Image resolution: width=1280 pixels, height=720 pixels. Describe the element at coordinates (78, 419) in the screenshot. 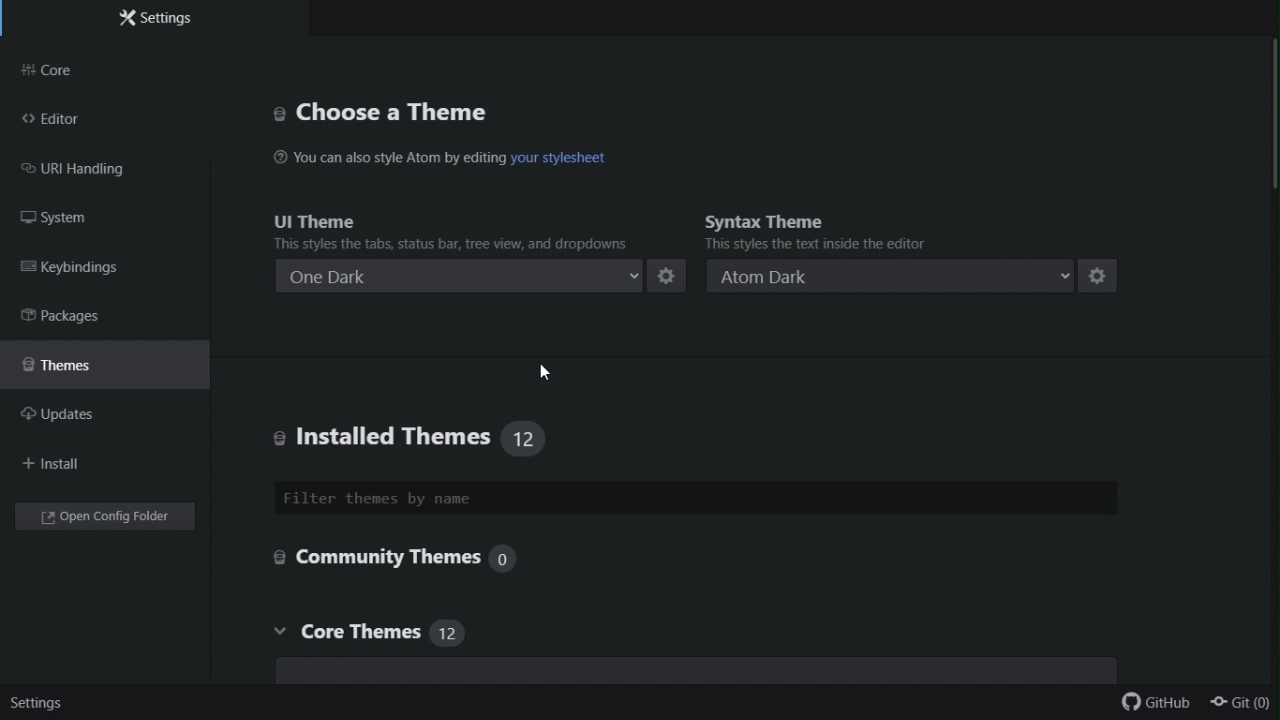

I see `Updates` at that location.